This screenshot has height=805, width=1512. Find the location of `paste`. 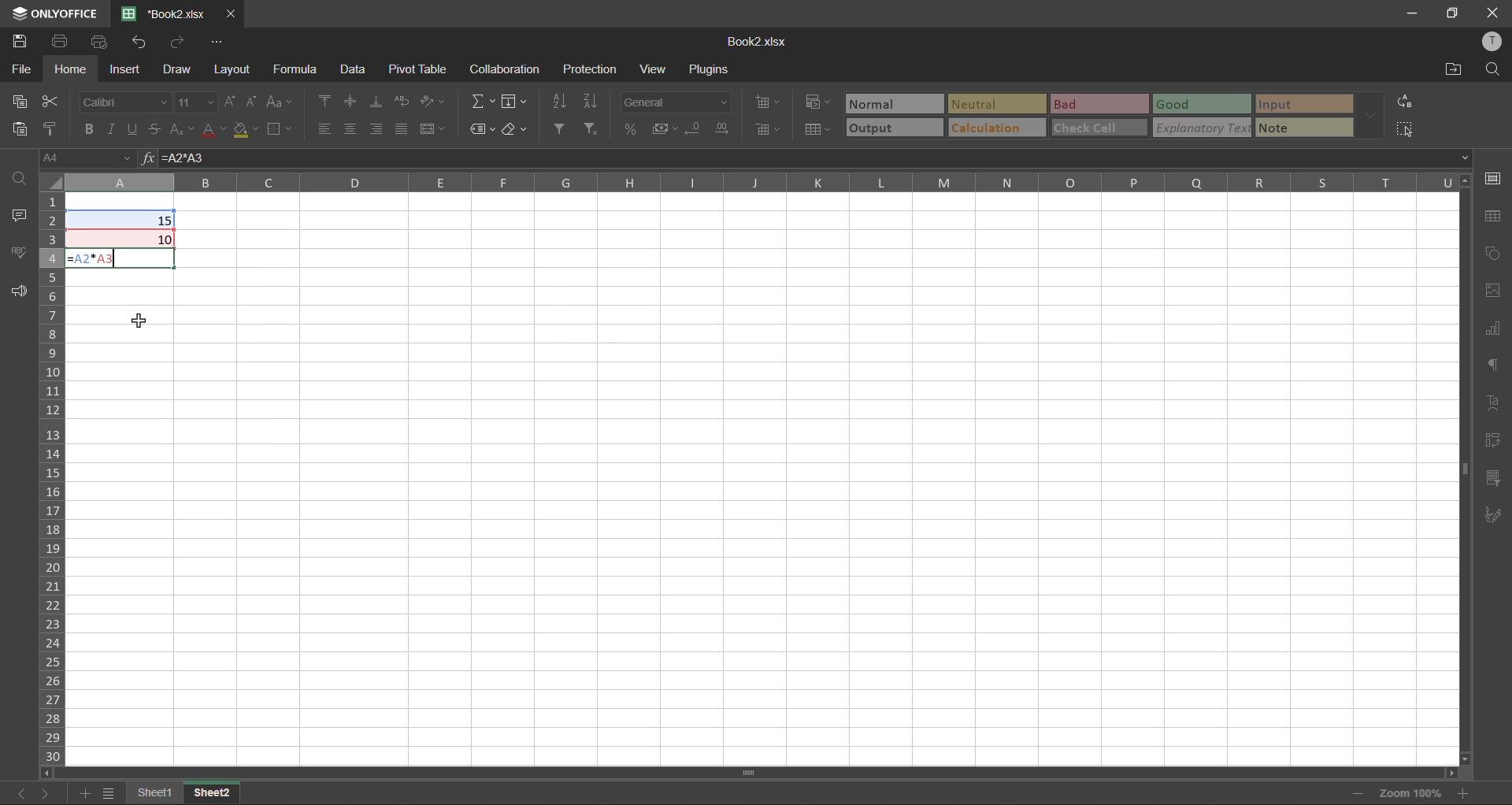

paste is located at coordinates (17, 128).